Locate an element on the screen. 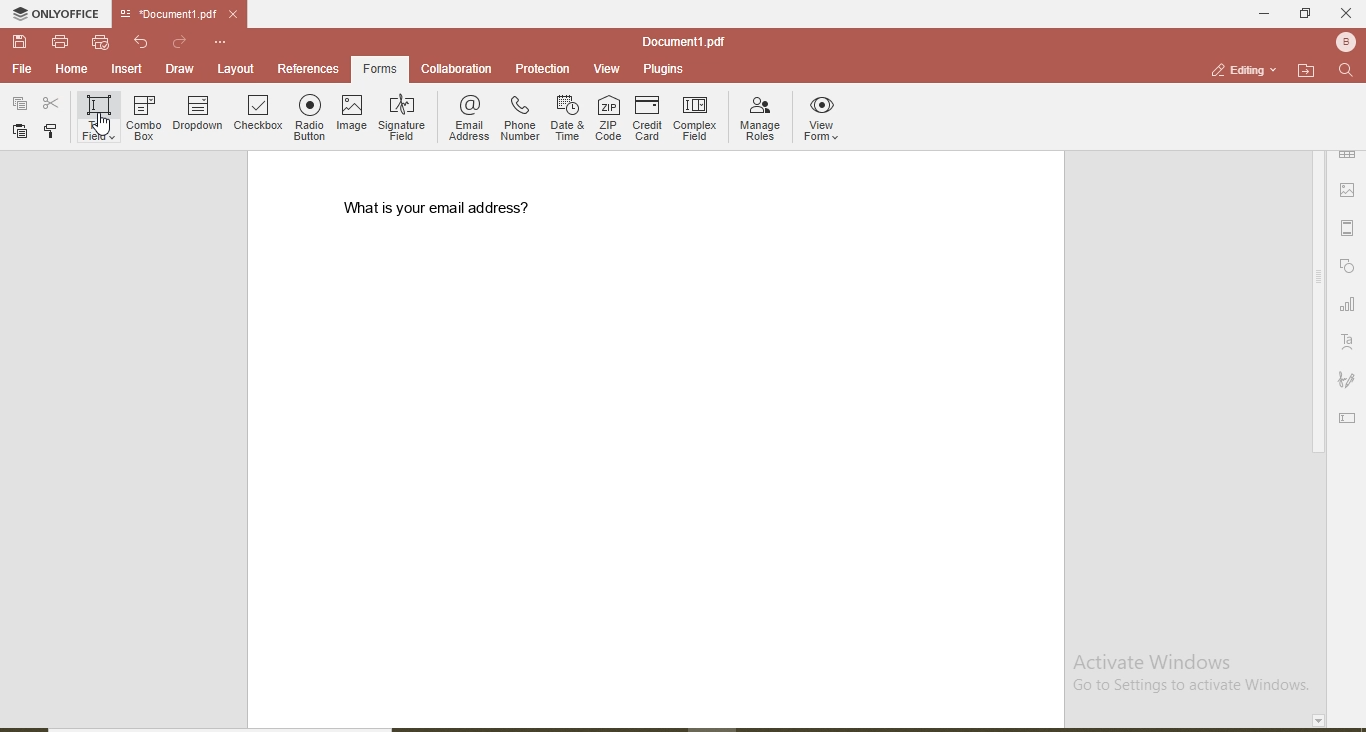  table is located at coordinates (1348, 154).